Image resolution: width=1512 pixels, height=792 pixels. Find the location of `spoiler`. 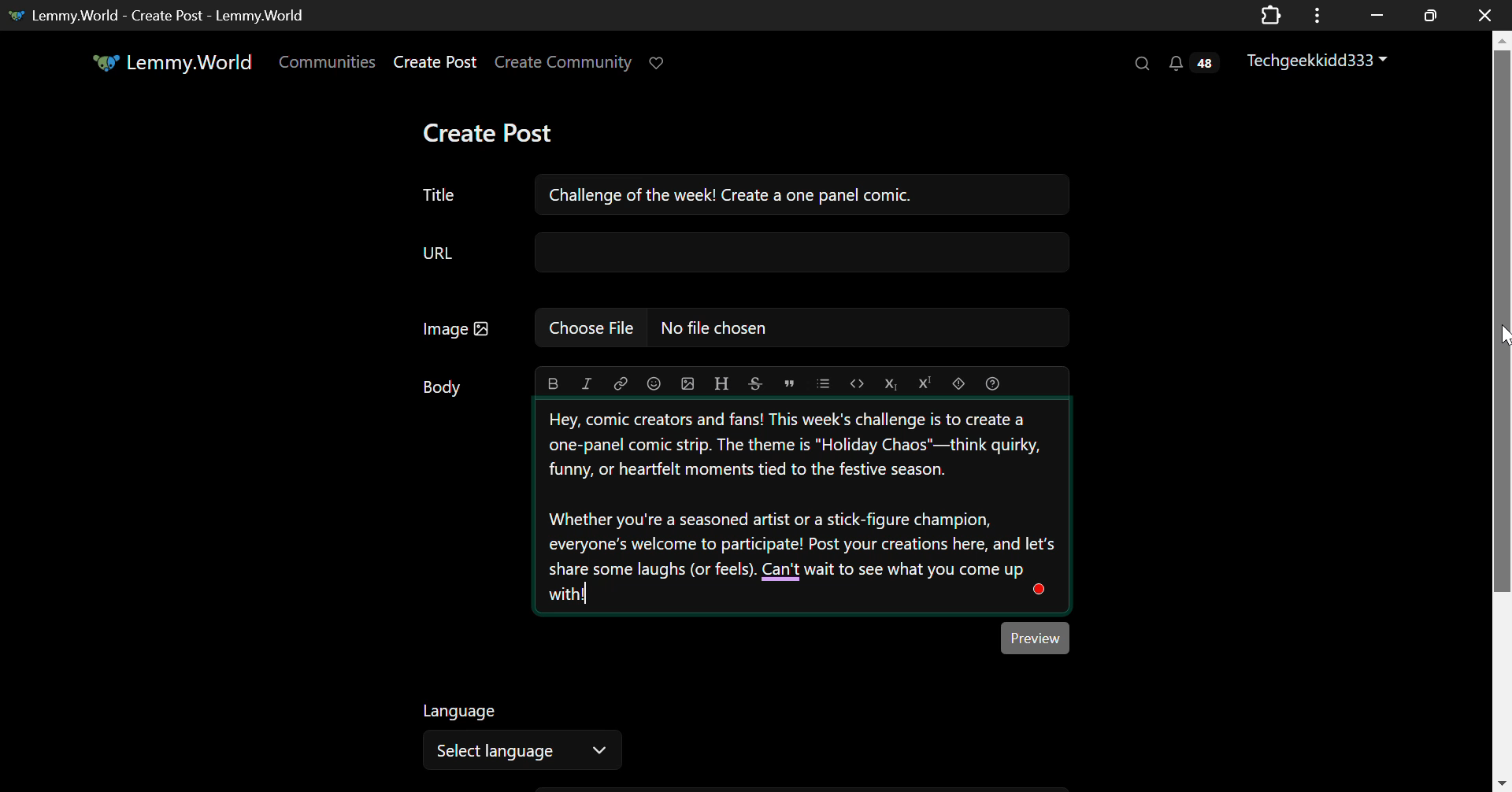

spoiler is located at coordinates (956, 383).